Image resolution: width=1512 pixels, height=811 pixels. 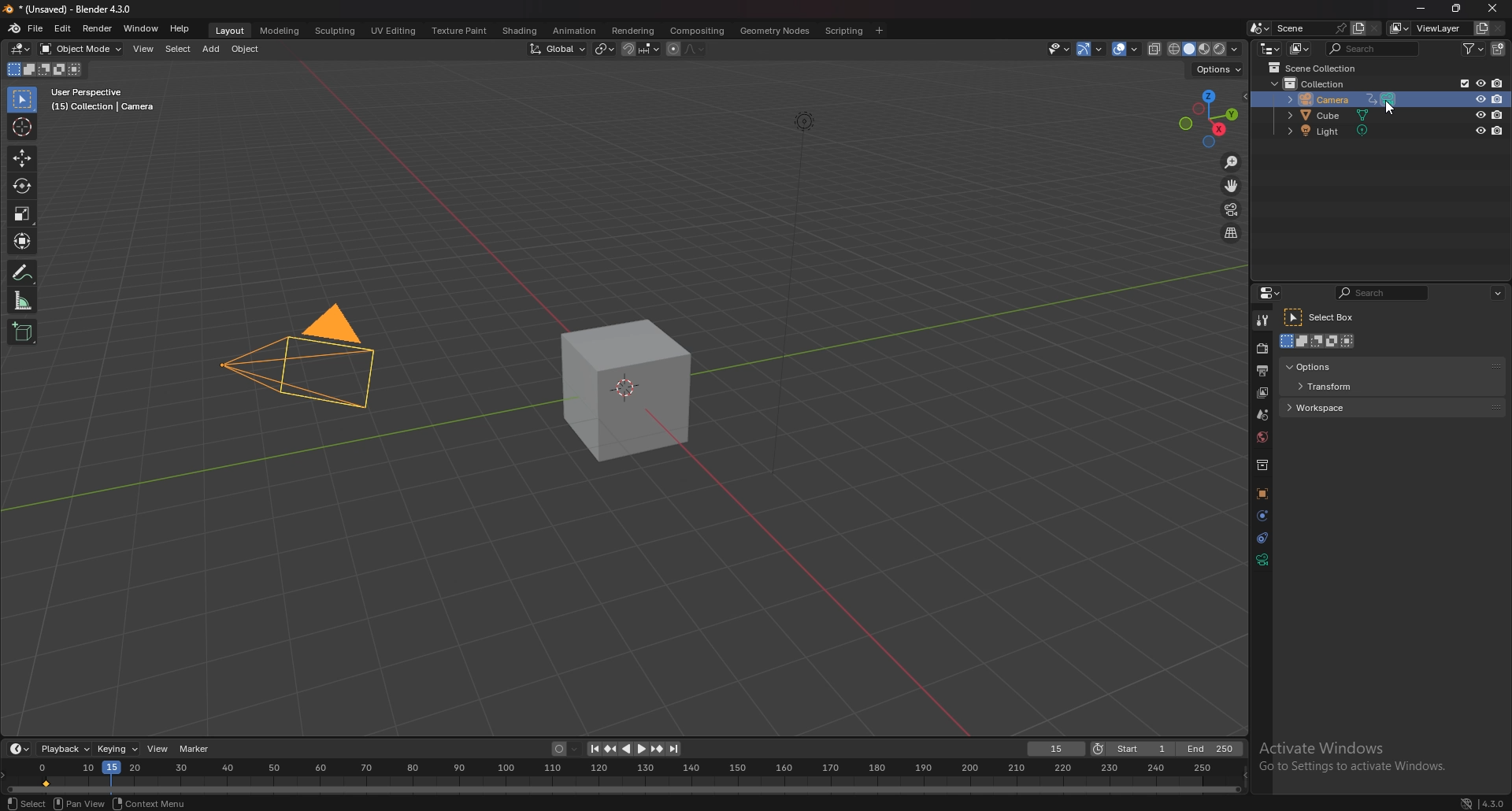 I want to click on view, so click(x=143, y=48).